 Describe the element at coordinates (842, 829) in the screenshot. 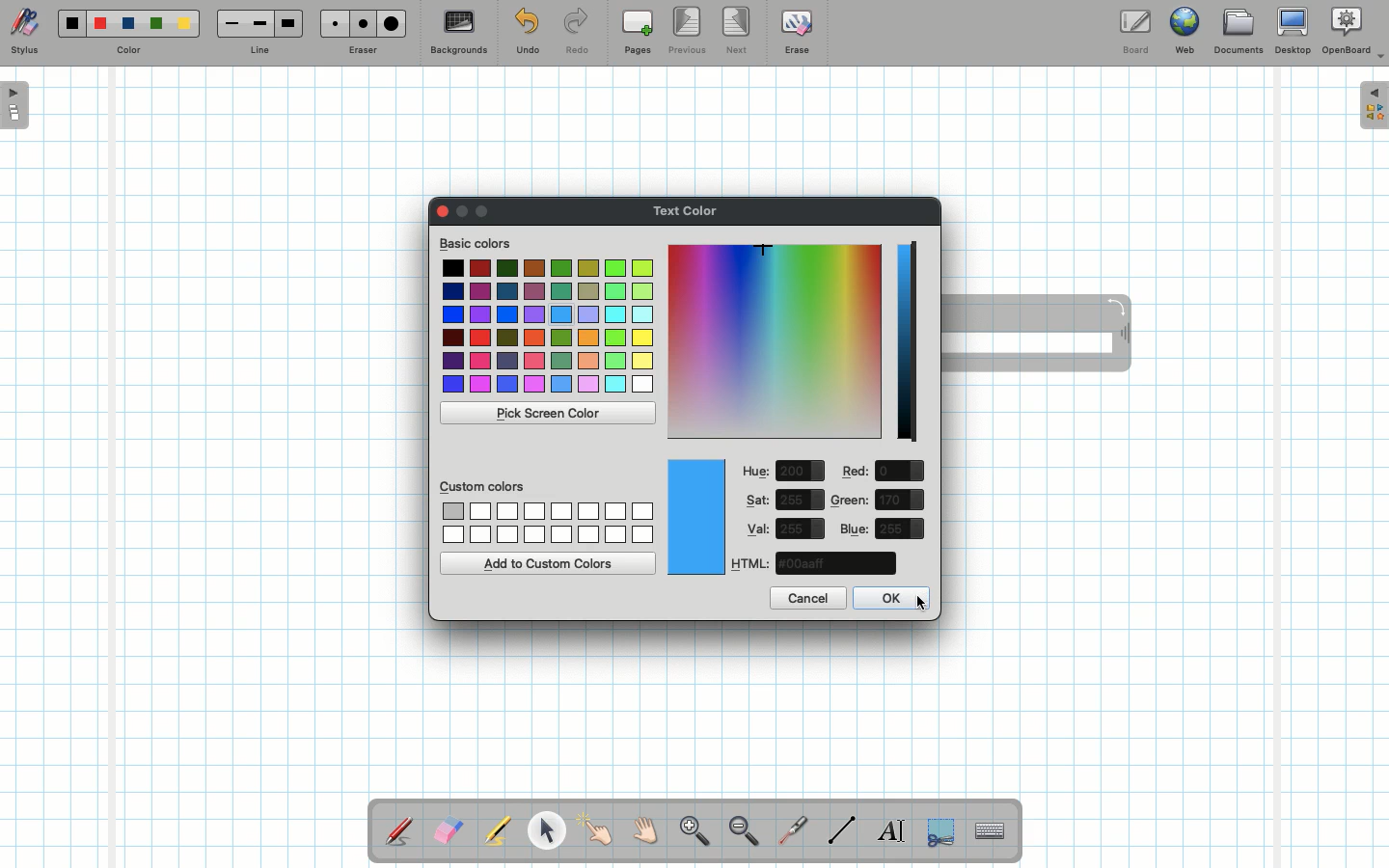

I see `Line` at that location.